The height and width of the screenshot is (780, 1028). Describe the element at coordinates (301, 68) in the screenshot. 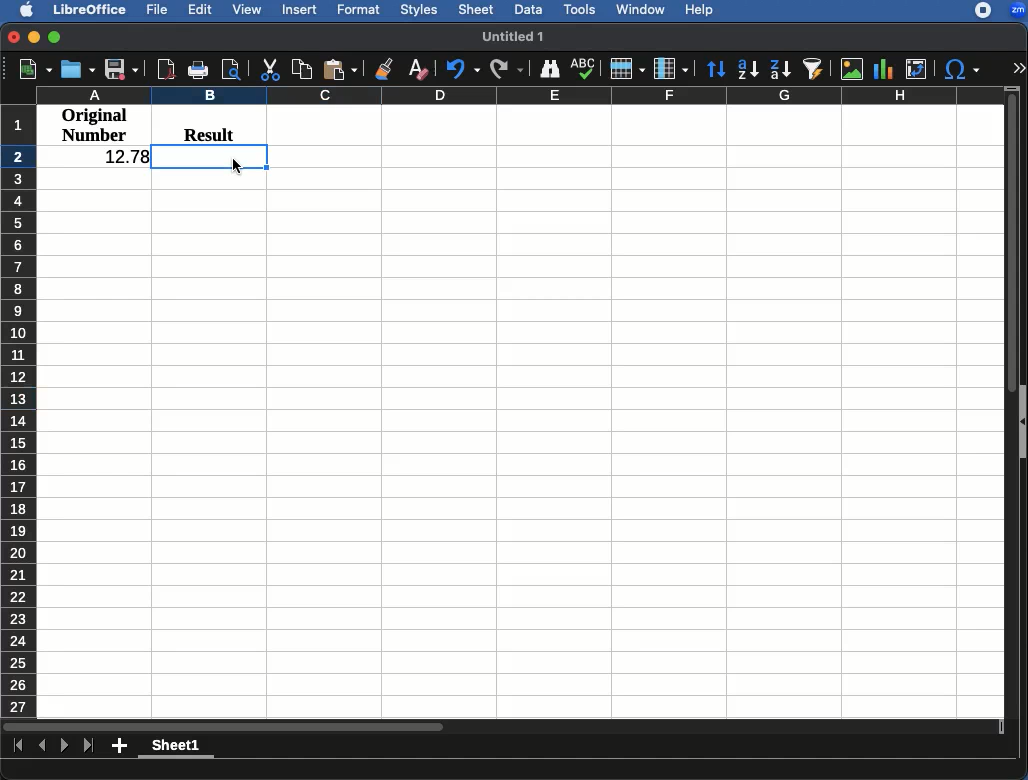

I see `Copy` at that location.